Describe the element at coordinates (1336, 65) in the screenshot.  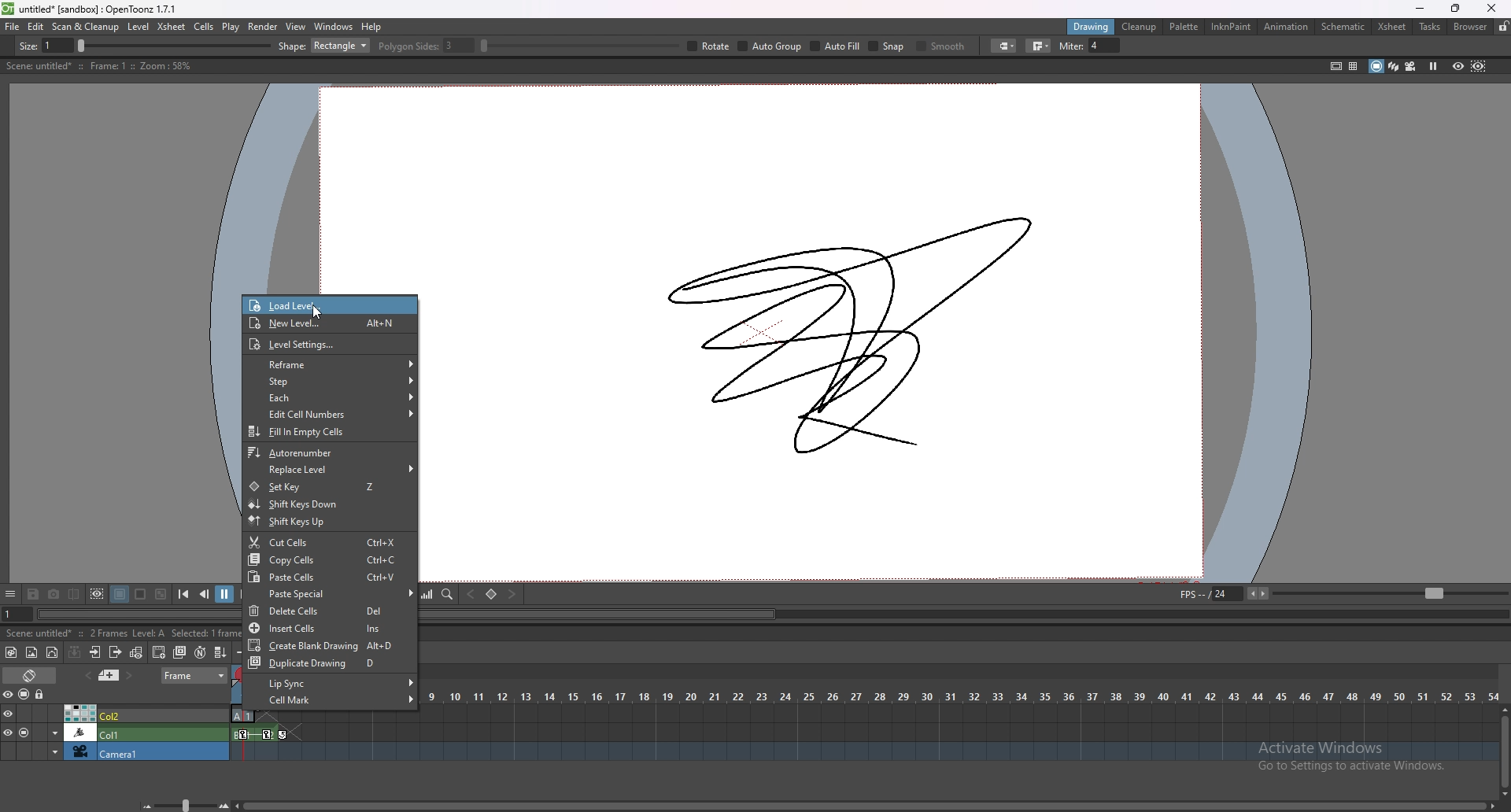
I see `safe area` at that location.